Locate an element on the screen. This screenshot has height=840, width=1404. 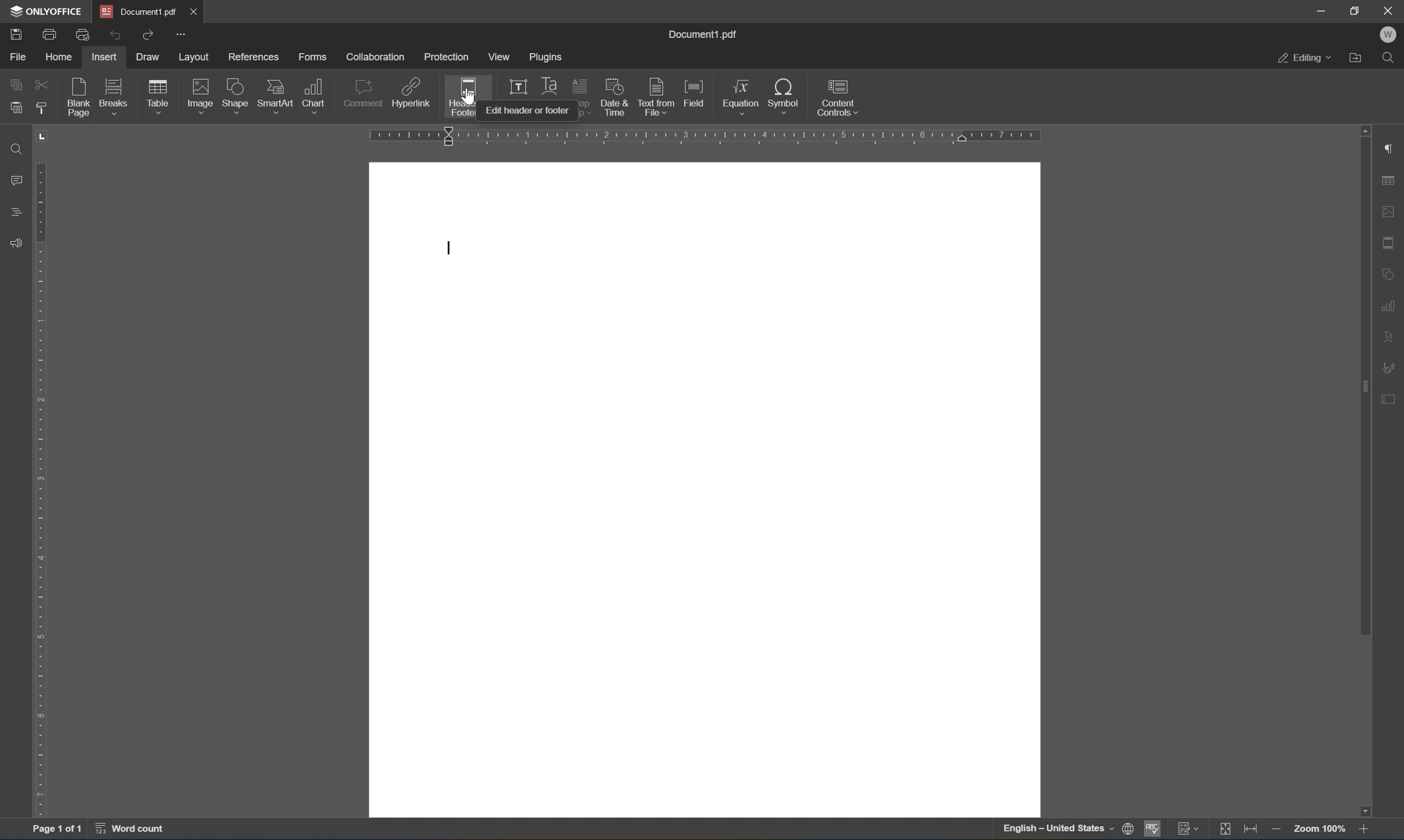
zoom out is located at coordinates (1275, 829).